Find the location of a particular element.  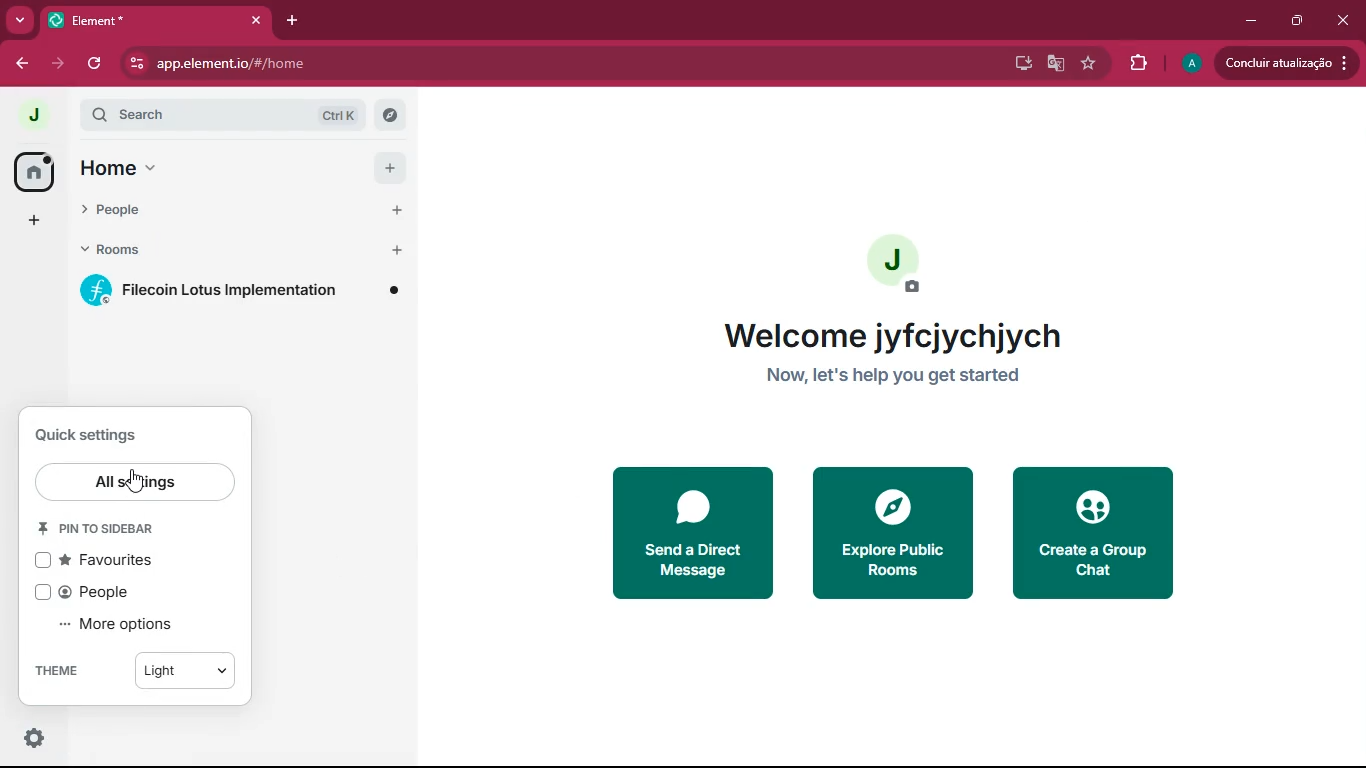

let's help you get started is located at coordinates (897, 375).